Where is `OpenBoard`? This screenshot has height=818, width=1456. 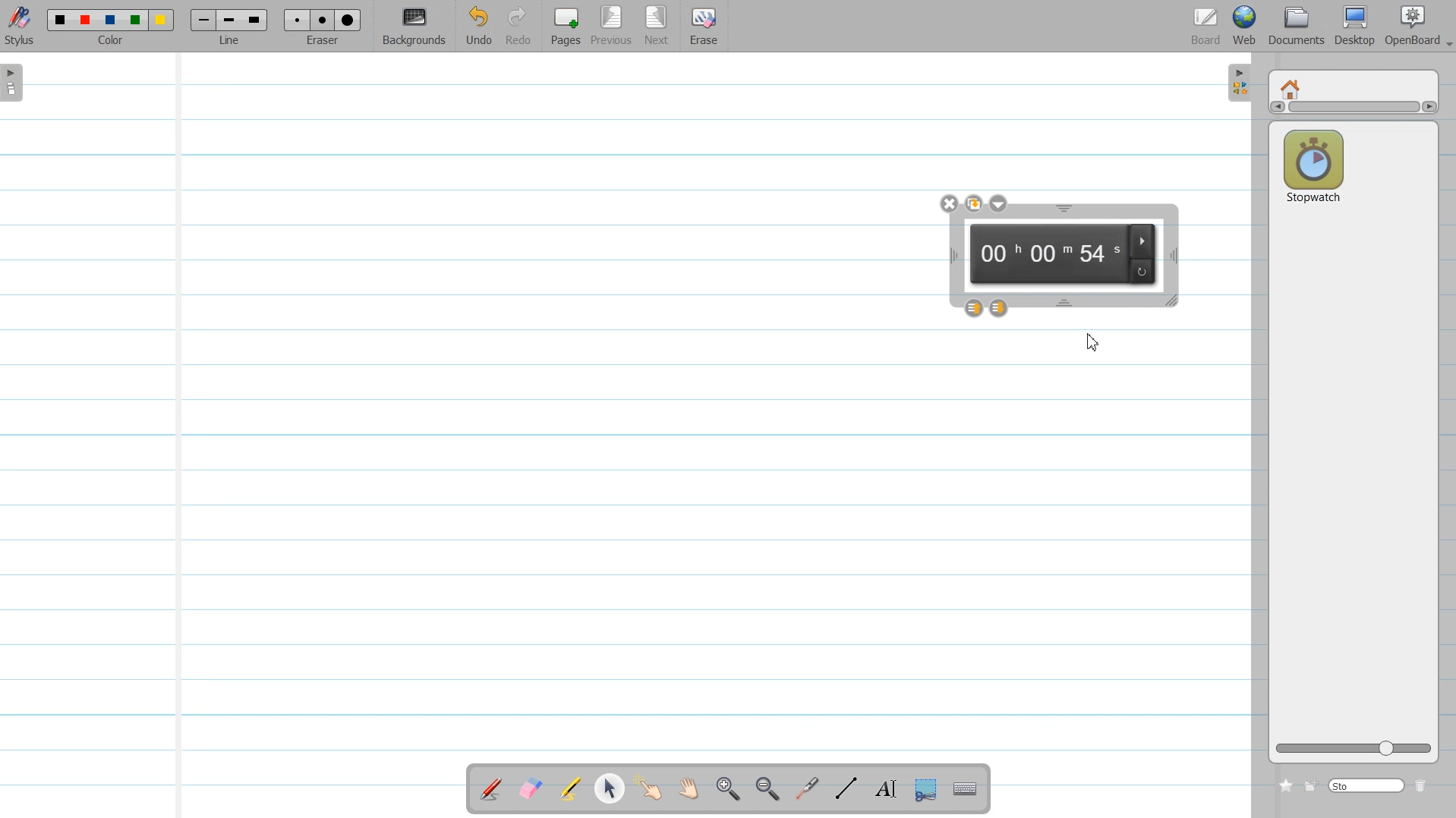
OpenBoard is located at coordinates (1409, 26).